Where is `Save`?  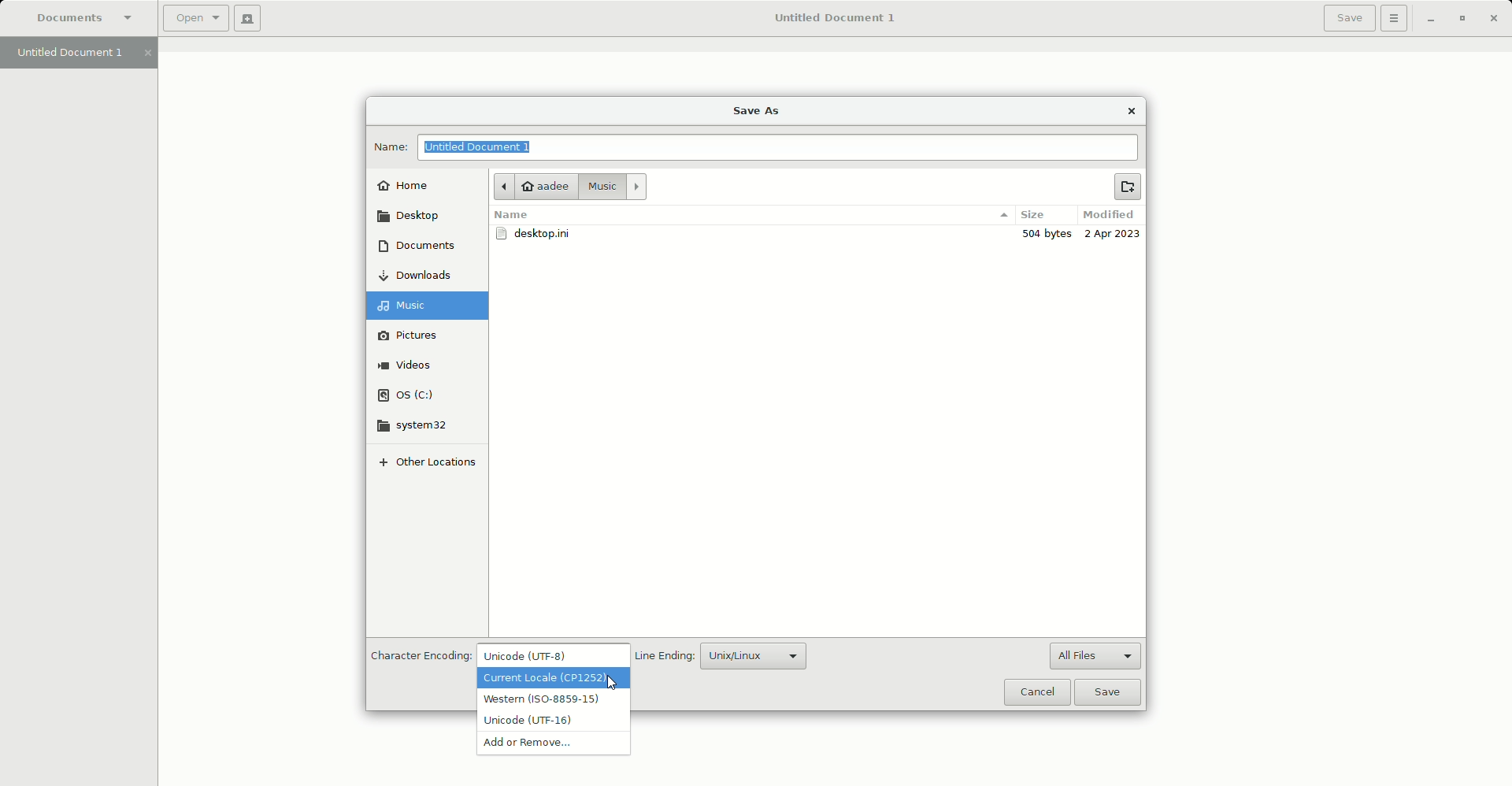
Save is located at coordinates (1107, 692).